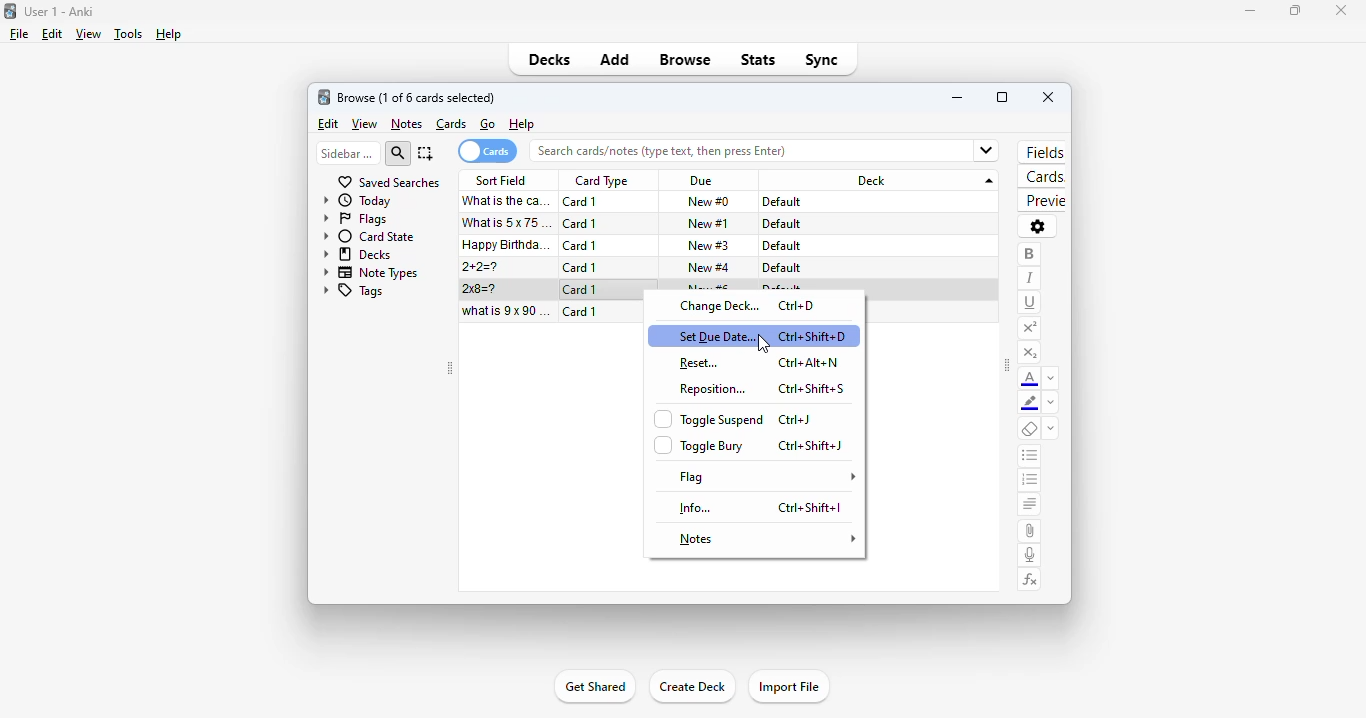 This screenshot has height=718, width=1366. What do you see at coordinates (19, 34) in the screenshot?
I see `file` at bounding box center [19, 34].